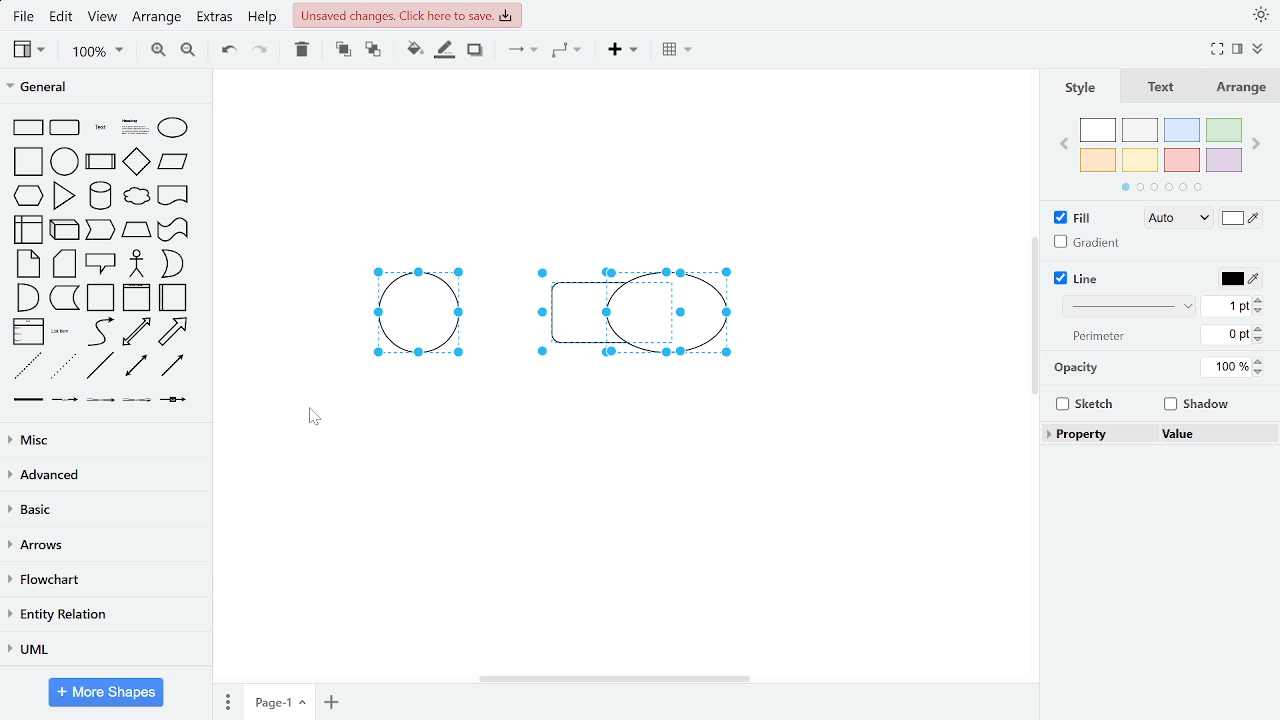 The image size is (1280, 720). Describe the element at coordinates (520, 53) in the screenshot. I see `connector` at that location.